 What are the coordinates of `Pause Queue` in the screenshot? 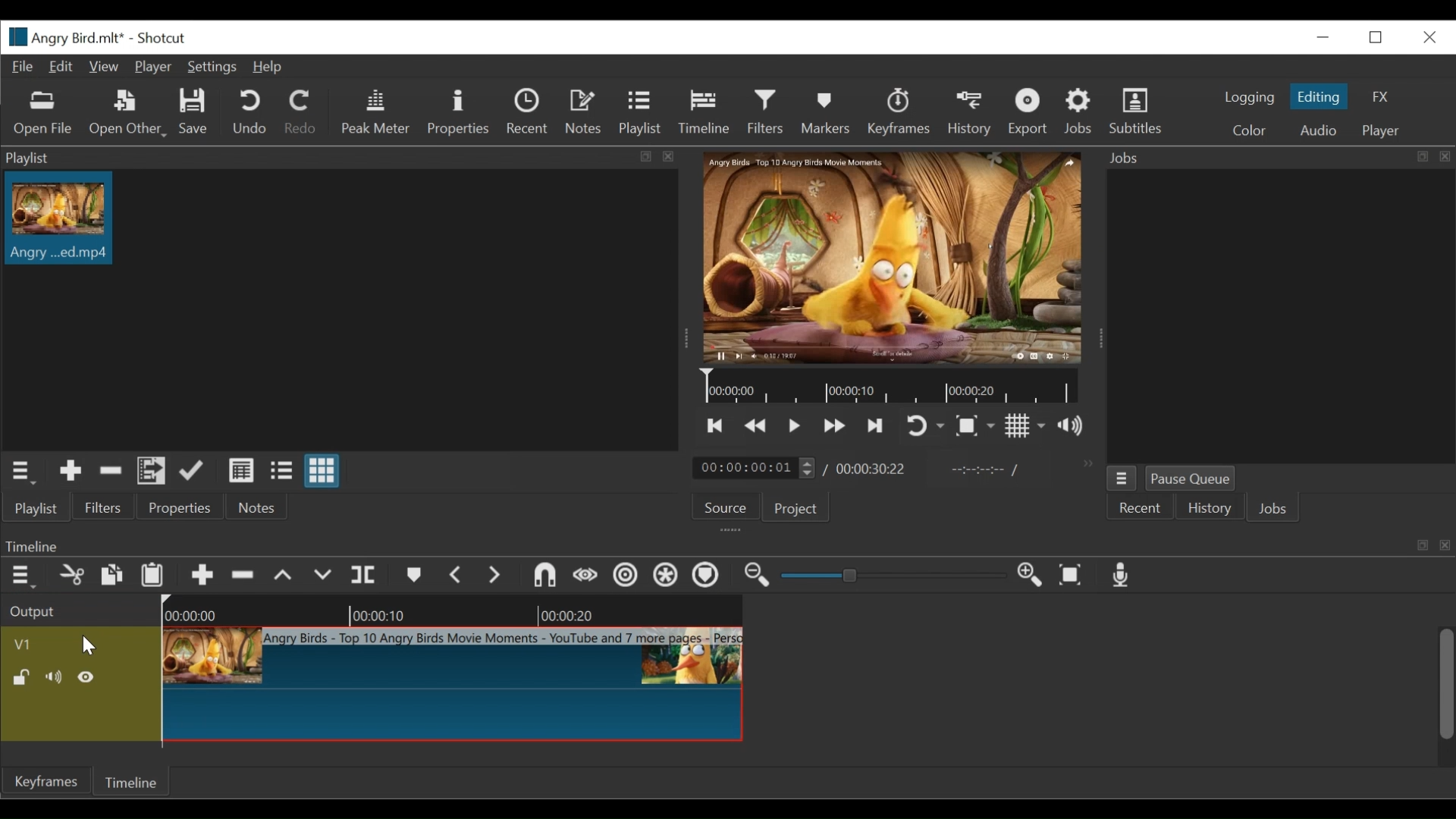 It's located at (1193, 479).